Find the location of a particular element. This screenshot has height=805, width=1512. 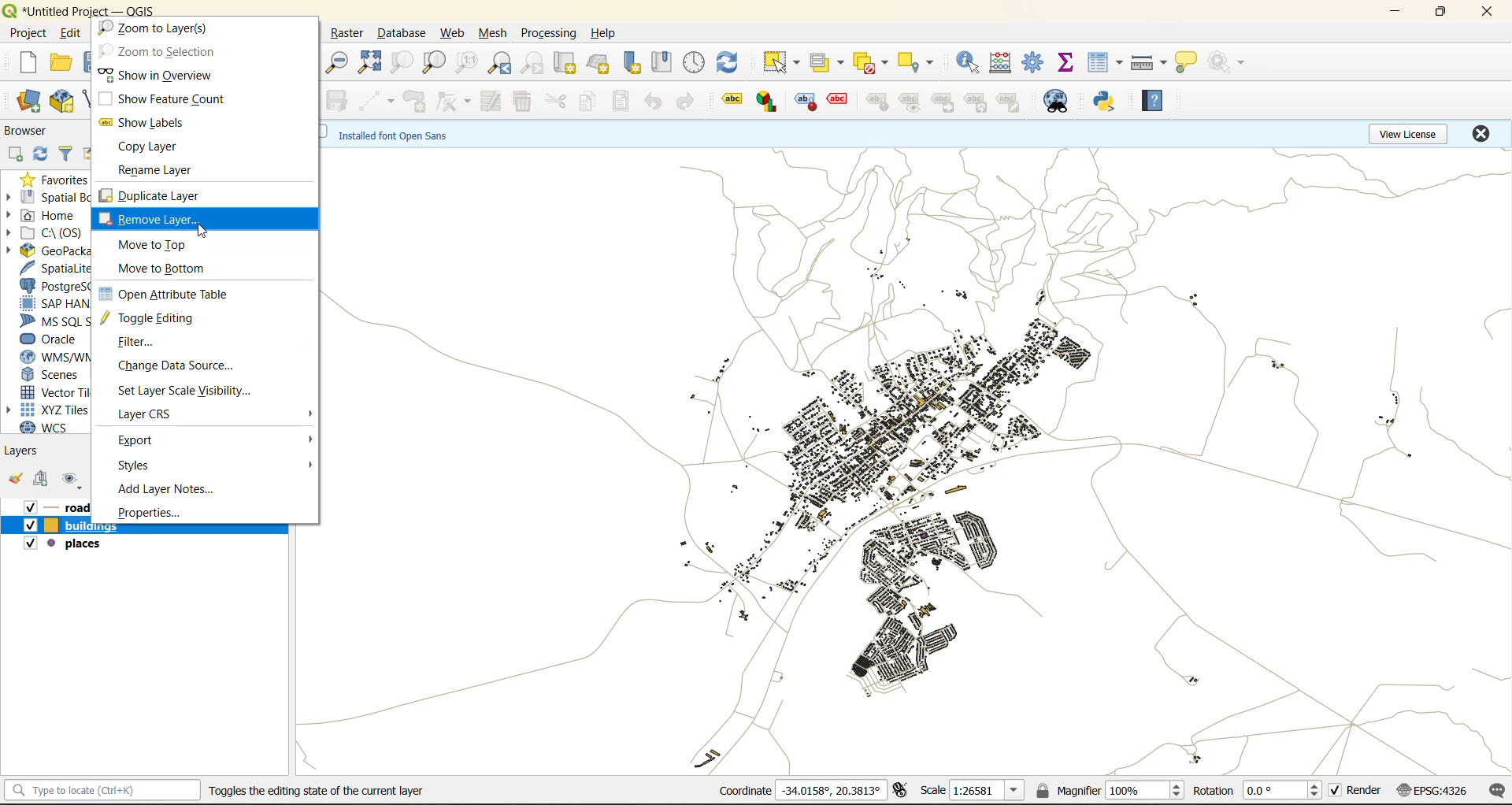

open datasource manager is located at coordinates (28, 102).